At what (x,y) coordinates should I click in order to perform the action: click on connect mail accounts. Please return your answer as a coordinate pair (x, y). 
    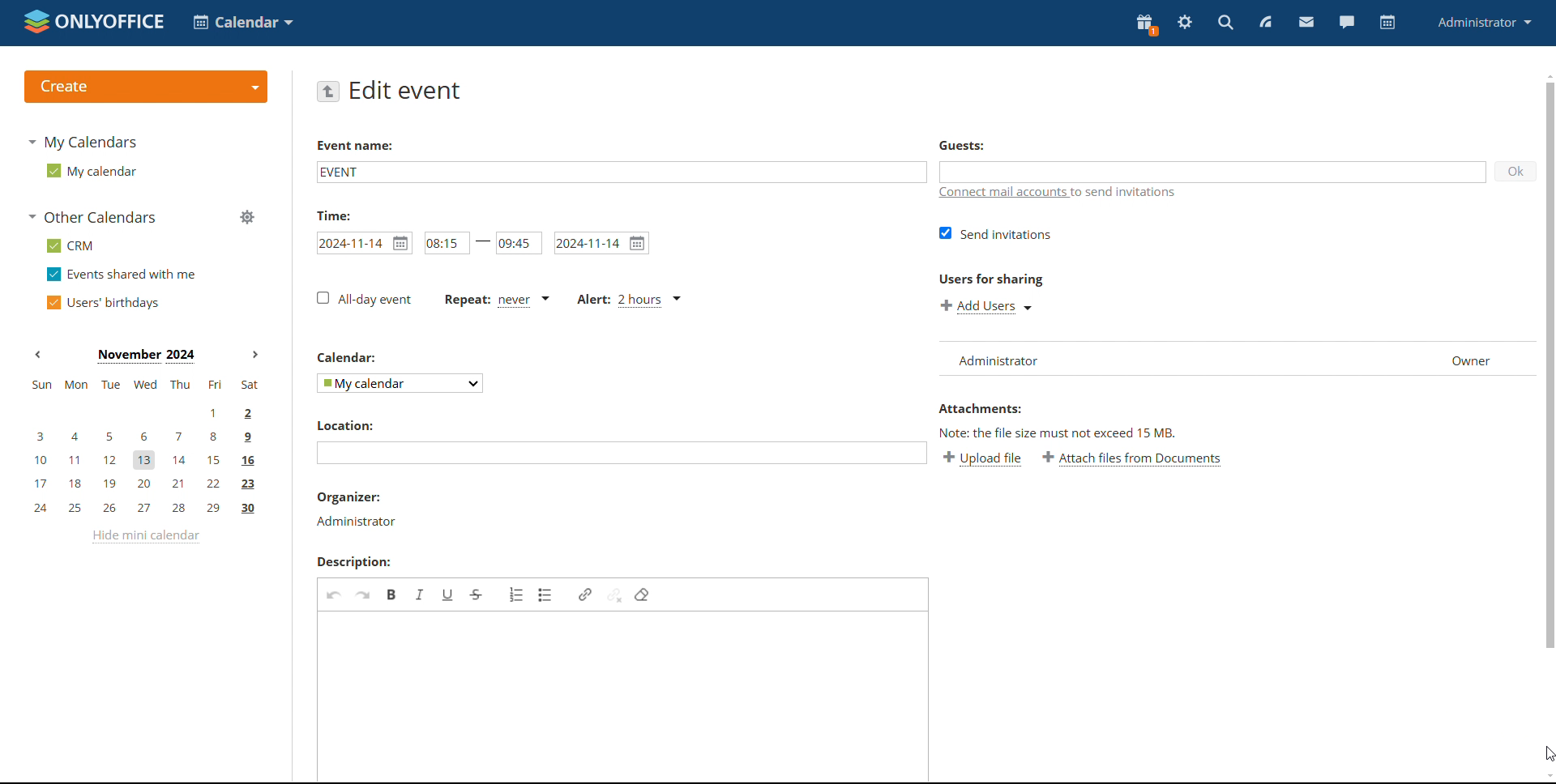
    Looking at the image, I should click on (1064, 194).